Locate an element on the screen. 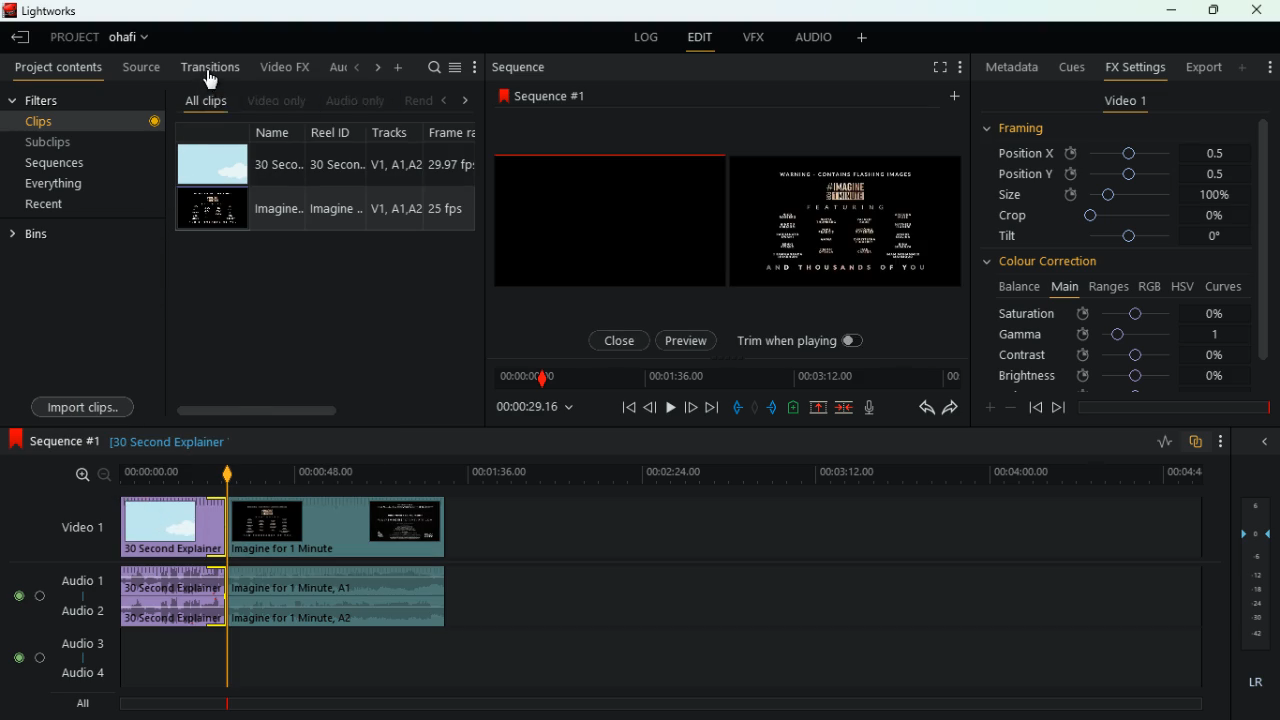 The image size is (1280, 720). back is located at coordinates (355, 67).